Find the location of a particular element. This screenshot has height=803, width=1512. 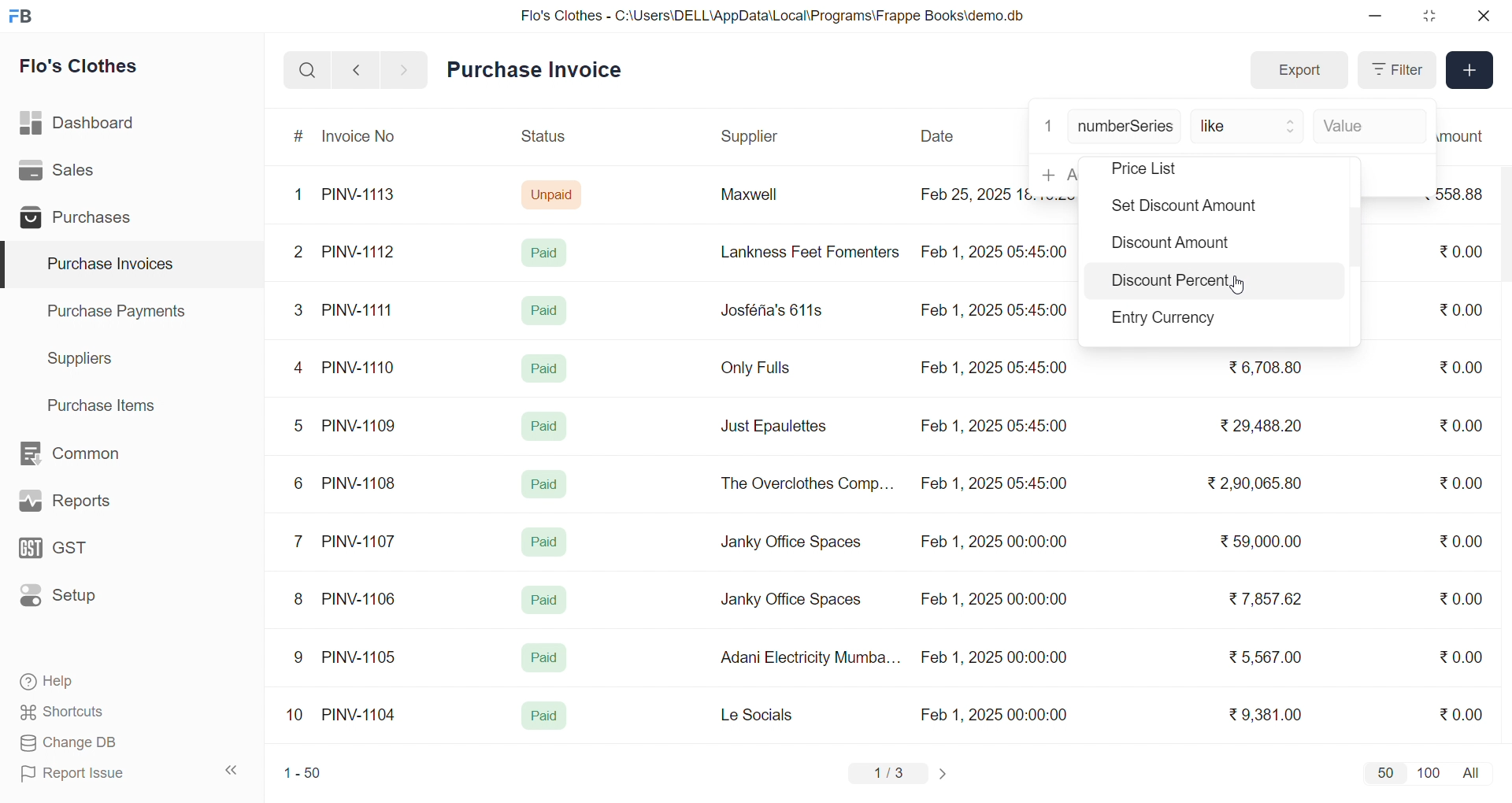

Purchase Payments is located at coordinates (121, 310).